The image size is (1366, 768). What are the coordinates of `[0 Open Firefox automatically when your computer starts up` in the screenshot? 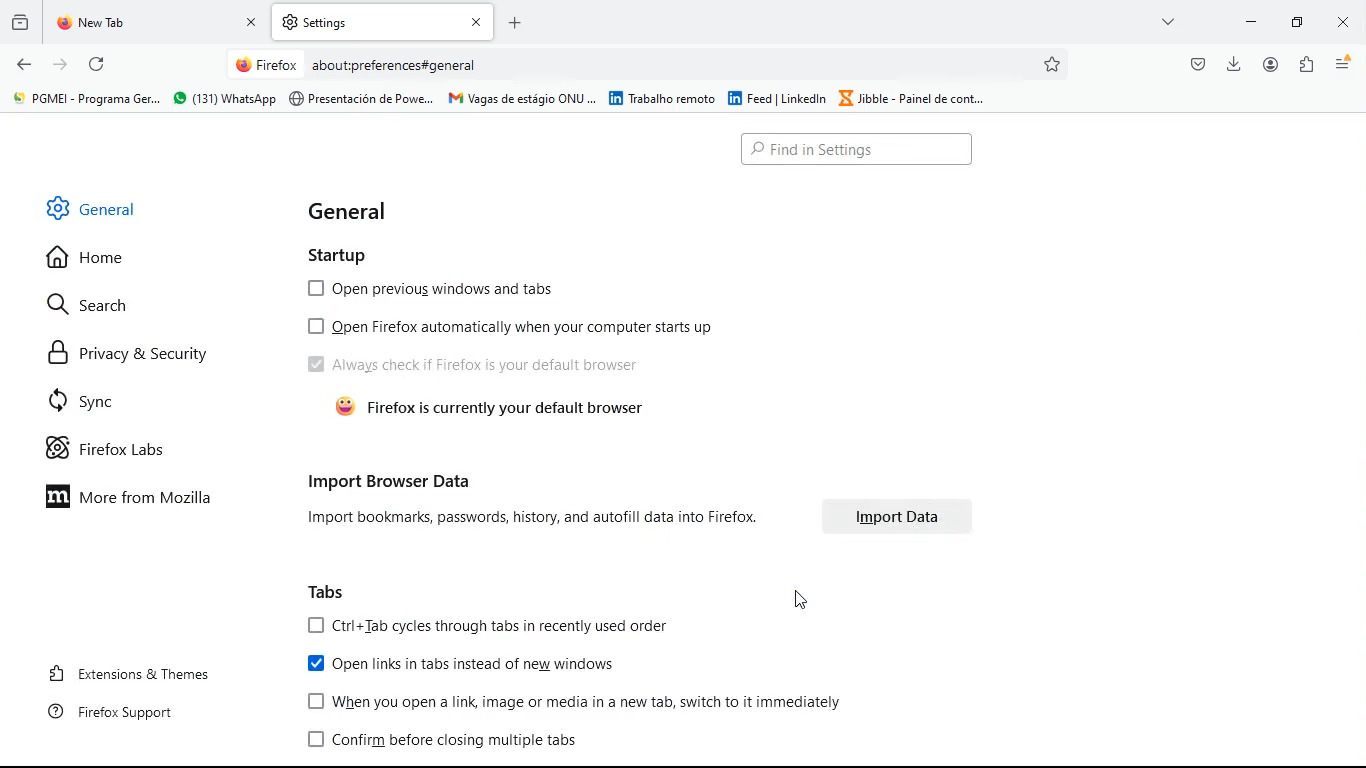 It's located at (524, 326).